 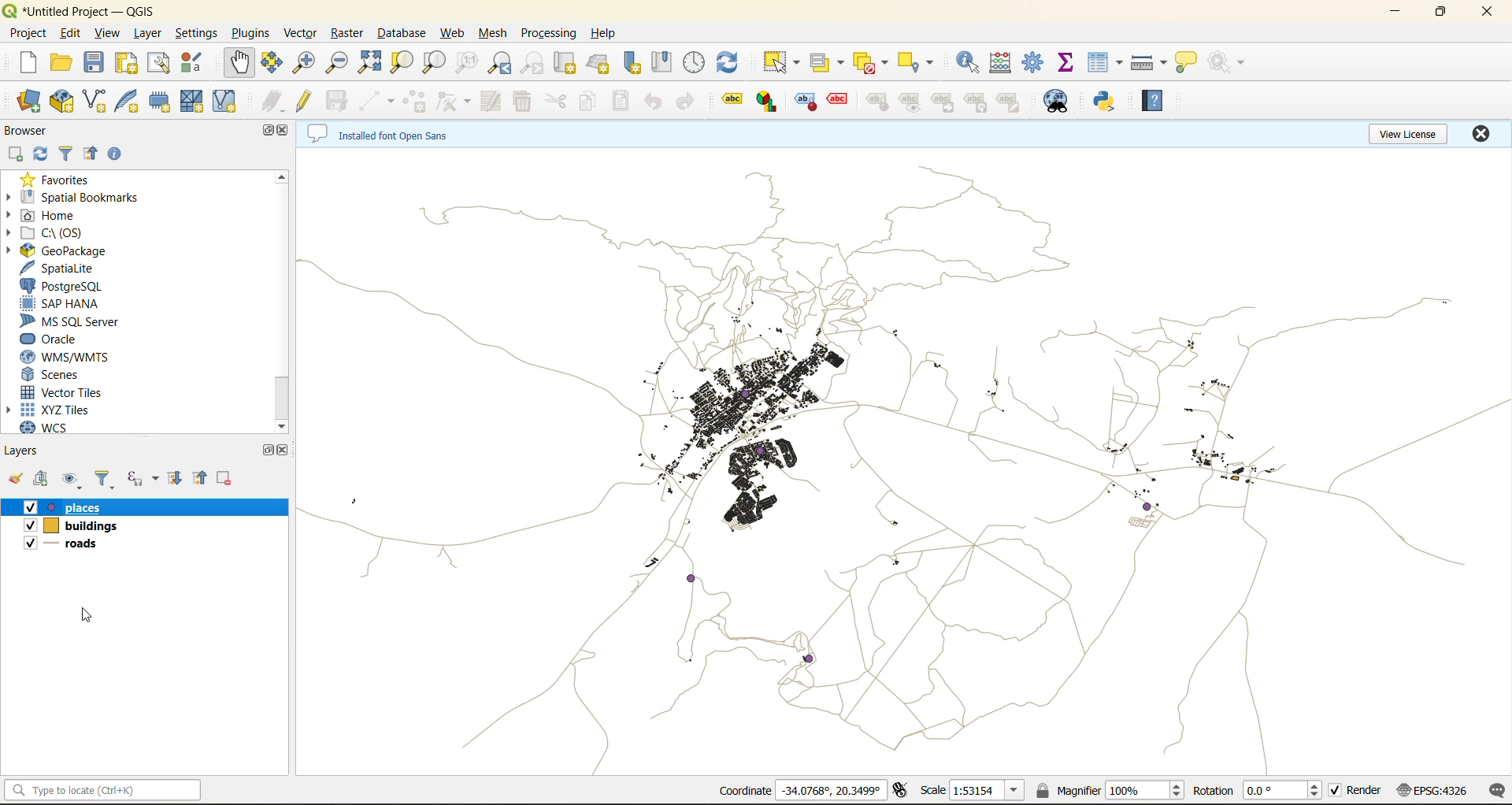 What do you see at coordinates (307, 63) in the screenshot?
I see `zoom in` at bounding box center [307, 63].